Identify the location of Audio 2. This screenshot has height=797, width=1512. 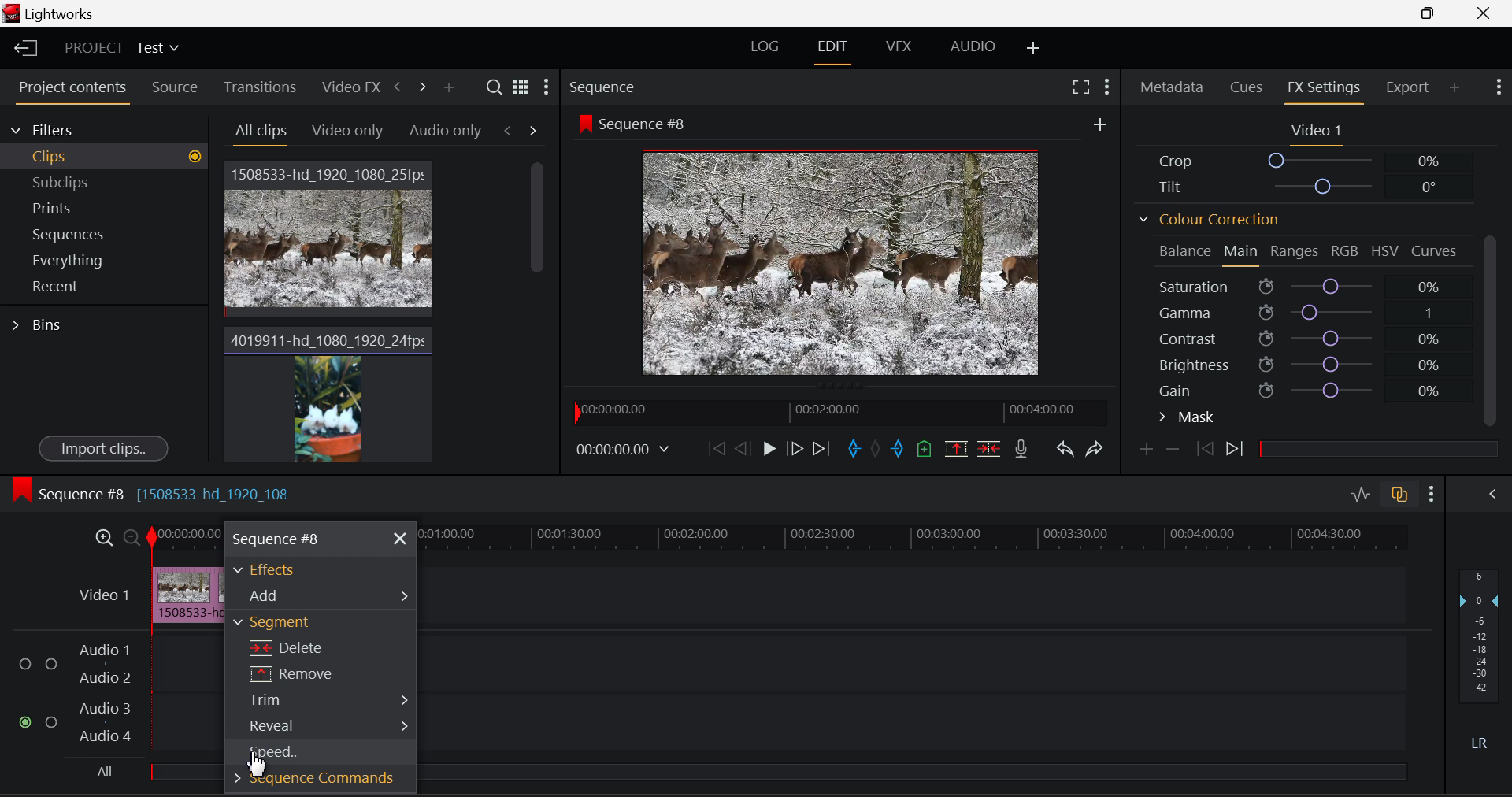
(107, 678).